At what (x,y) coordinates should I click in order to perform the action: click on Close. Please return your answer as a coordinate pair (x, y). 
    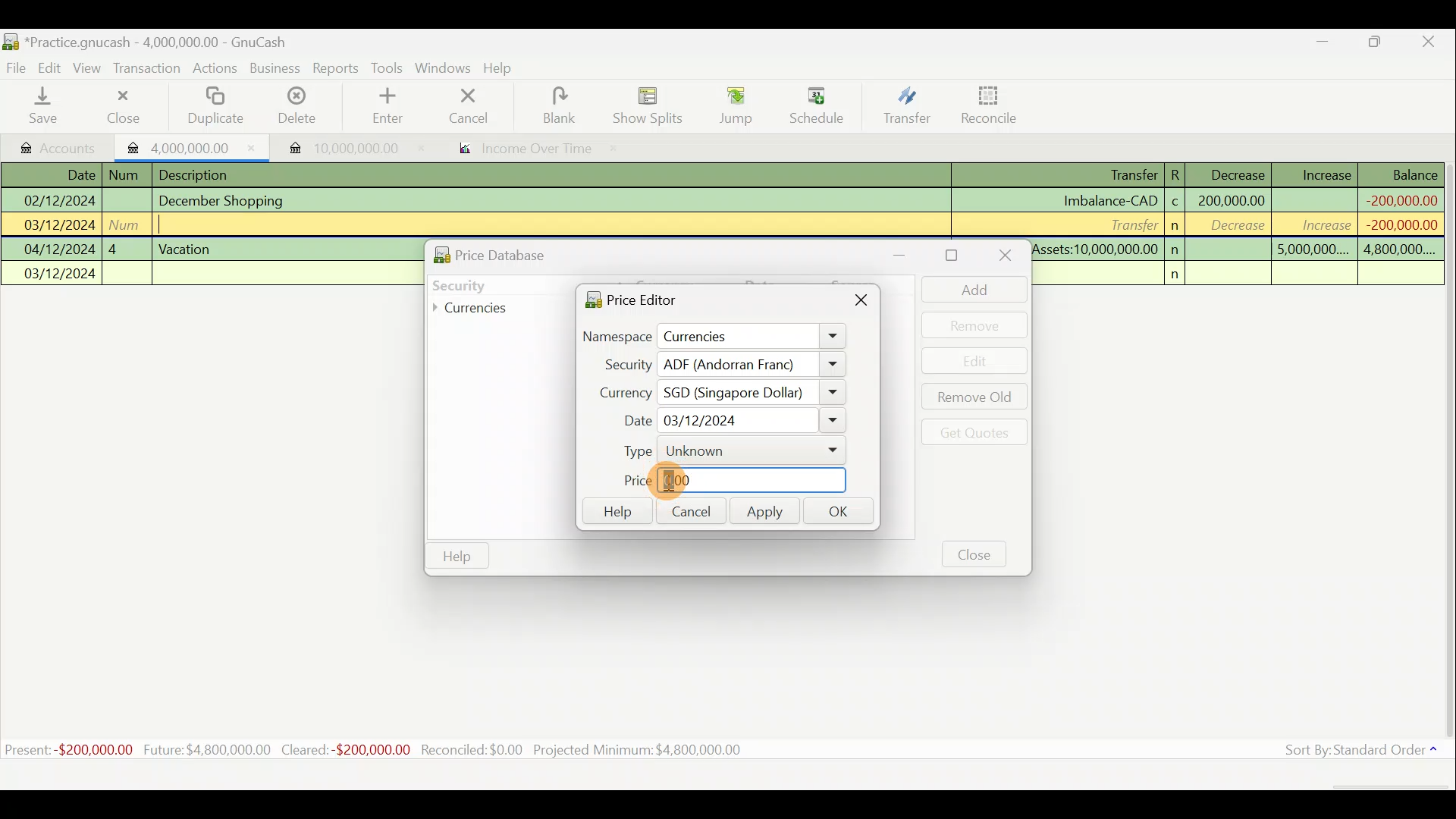
    Looking at the image, I should click on (975, 554).